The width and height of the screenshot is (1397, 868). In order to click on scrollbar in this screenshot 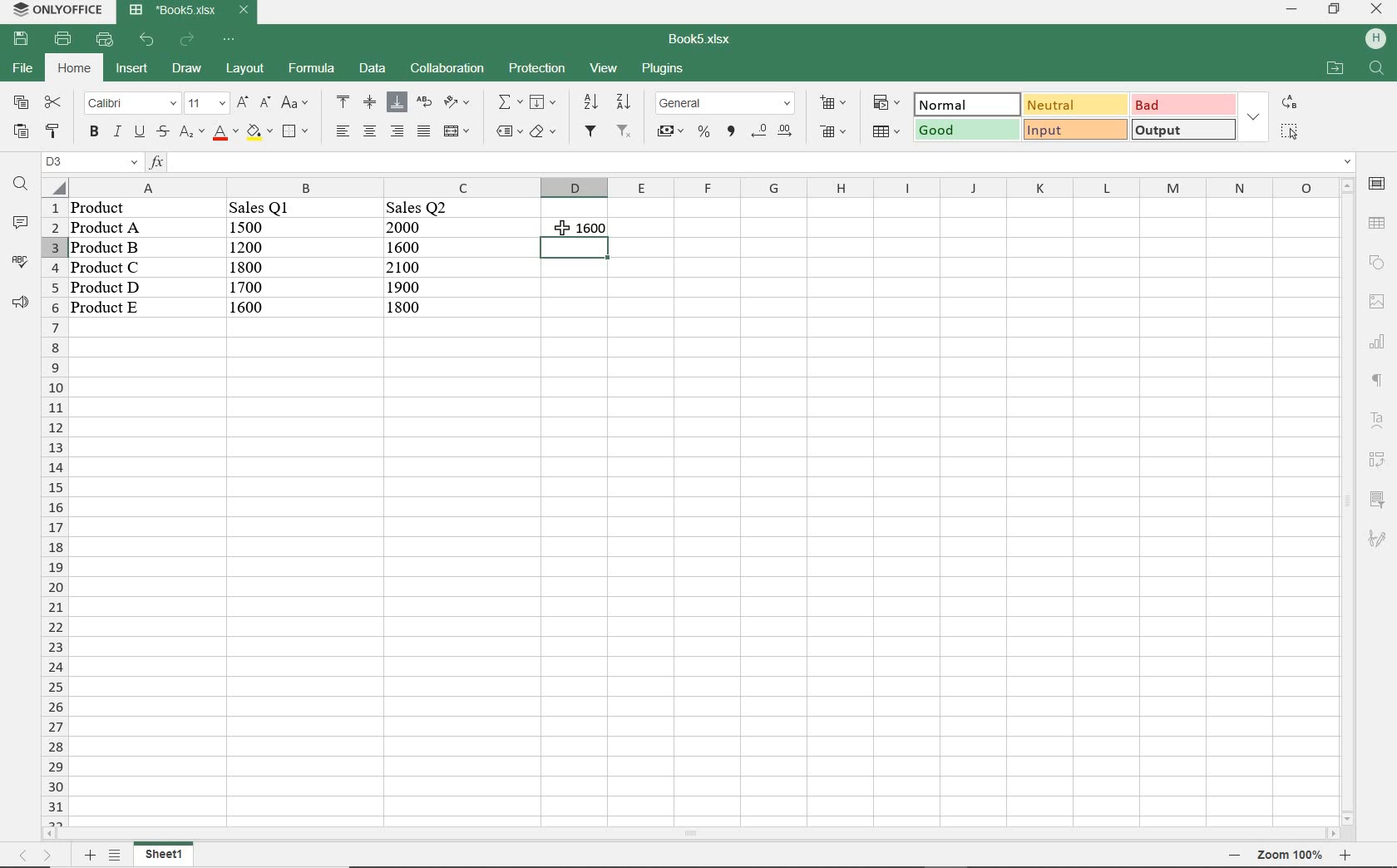, I will do `click(691, 834)`.